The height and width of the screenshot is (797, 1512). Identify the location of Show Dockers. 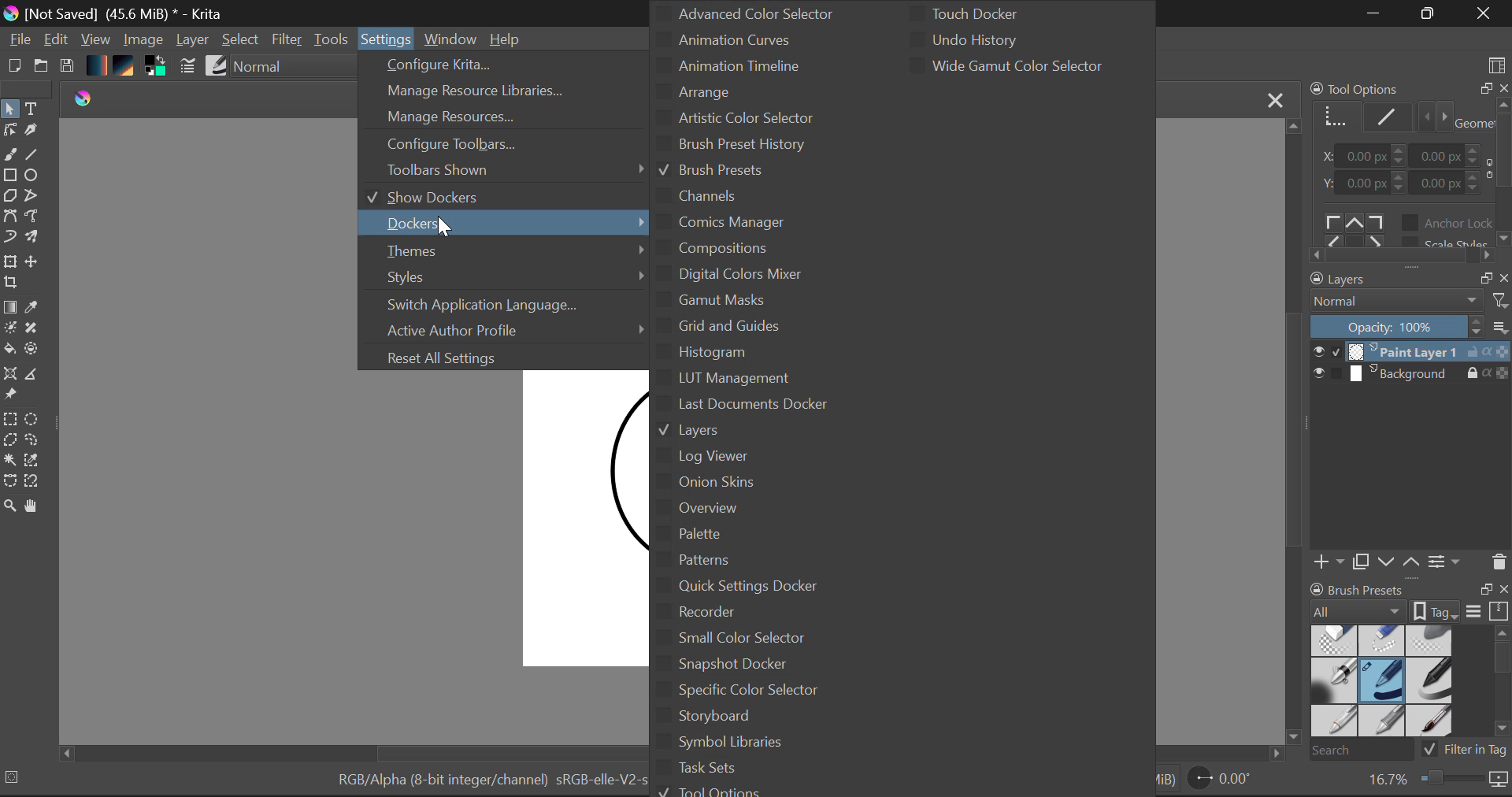
(492, 198).